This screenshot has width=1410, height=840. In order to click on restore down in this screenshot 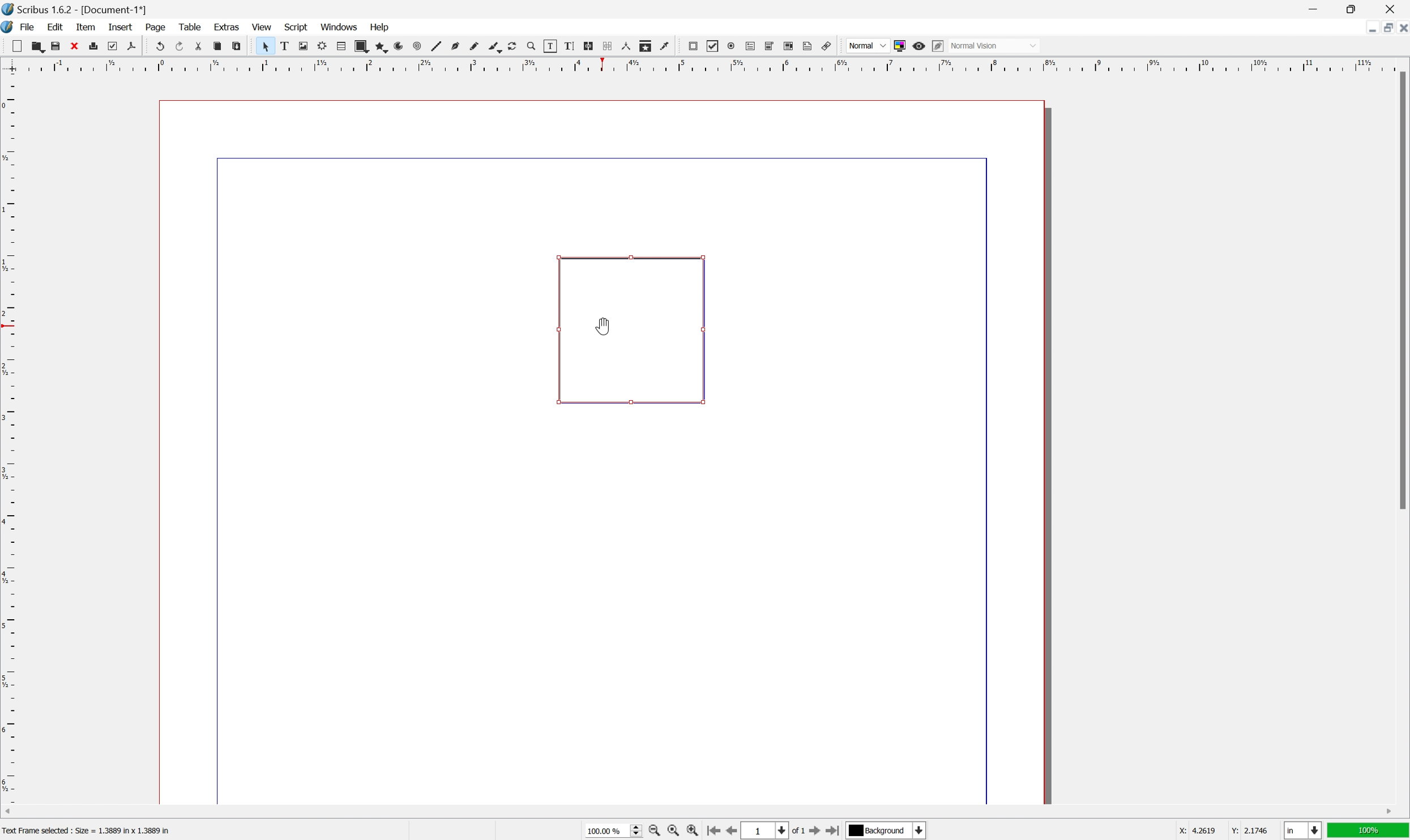, I will do `click(1353, 8)`.